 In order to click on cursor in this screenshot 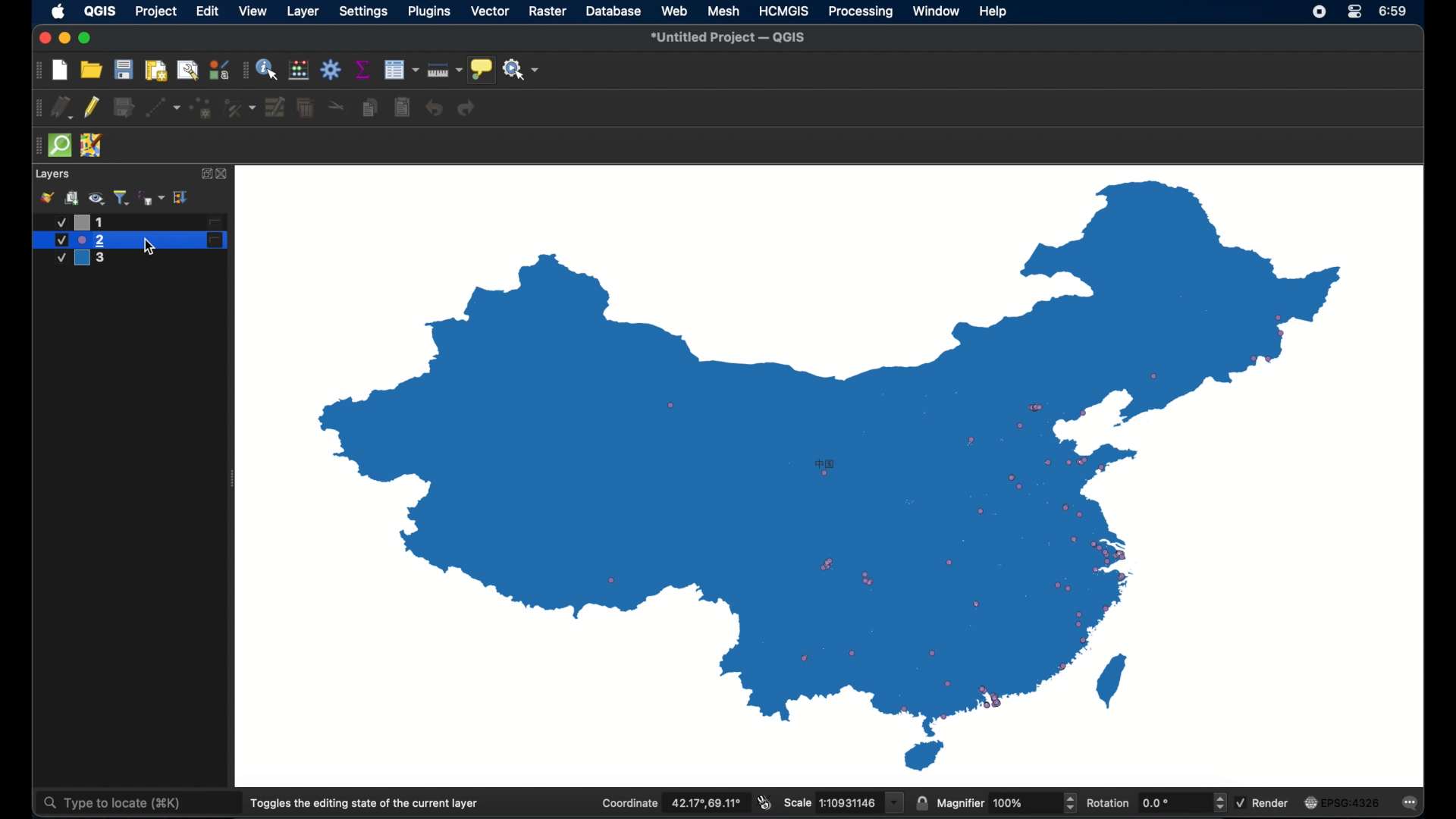, I will do `click(152, 248)`.